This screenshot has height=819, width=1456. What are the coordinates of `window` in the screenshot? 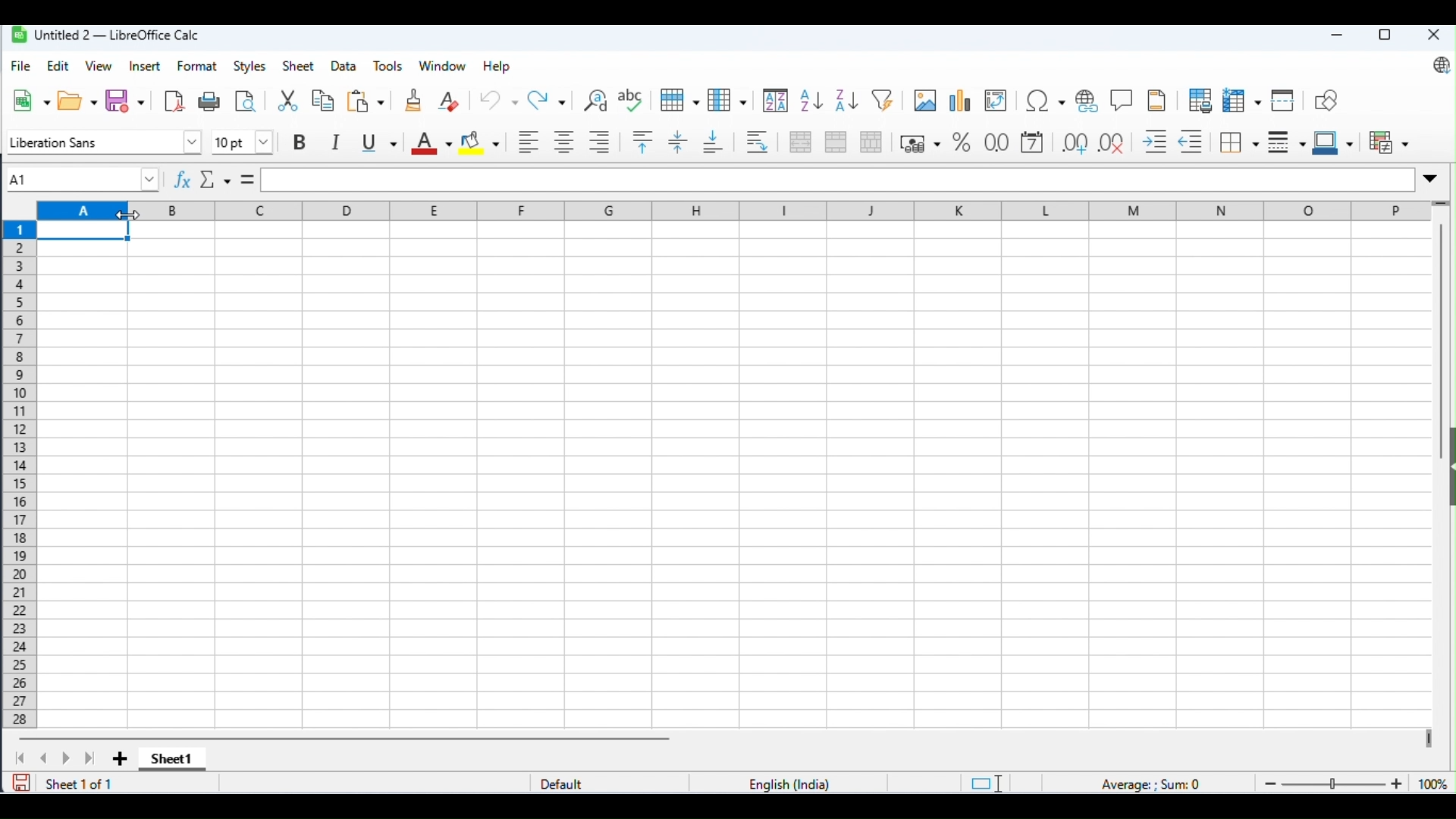 It's located at (444, 66).